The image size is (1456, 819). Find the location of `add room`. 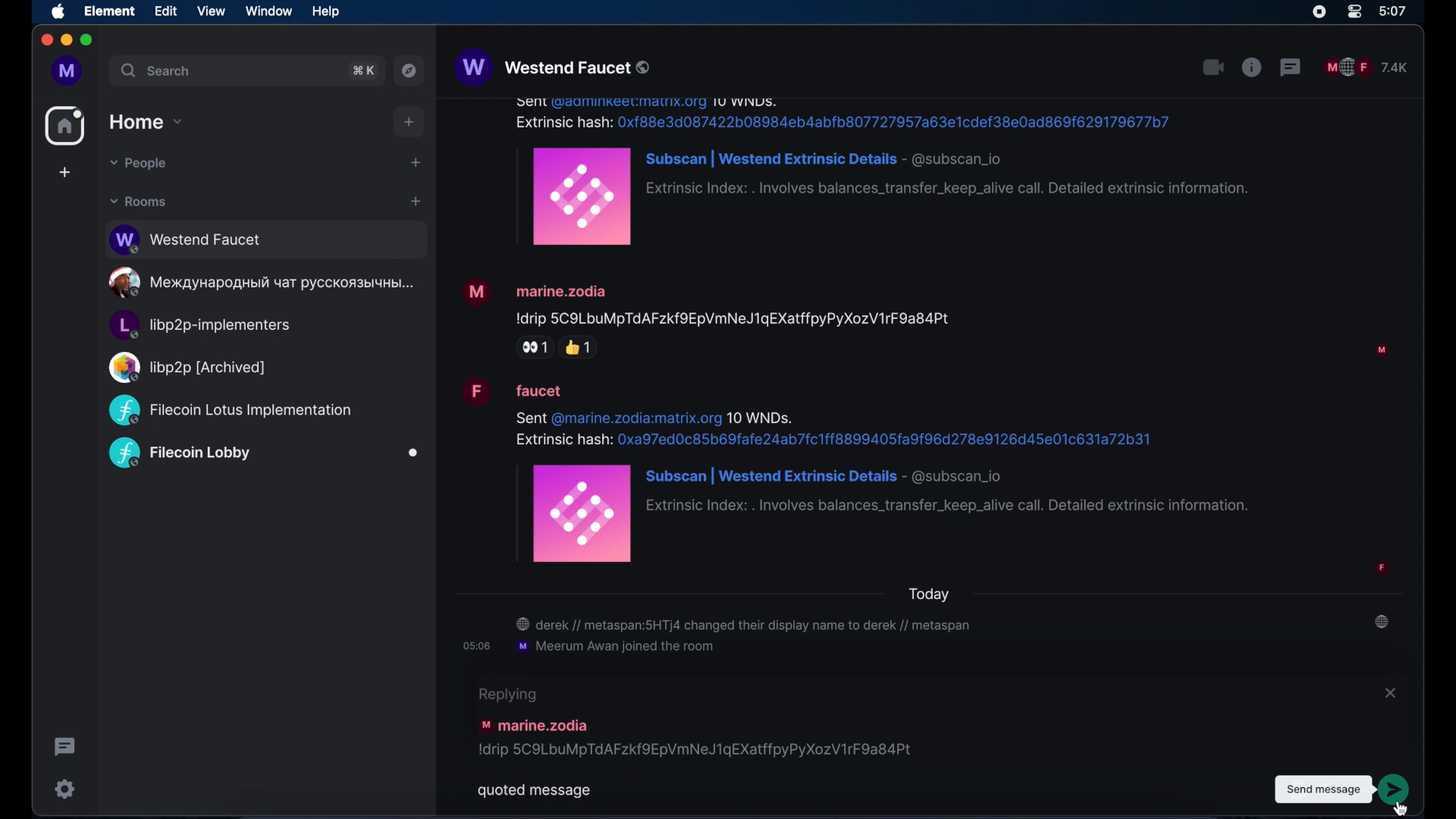

add room is located at coordinates (416, 202).